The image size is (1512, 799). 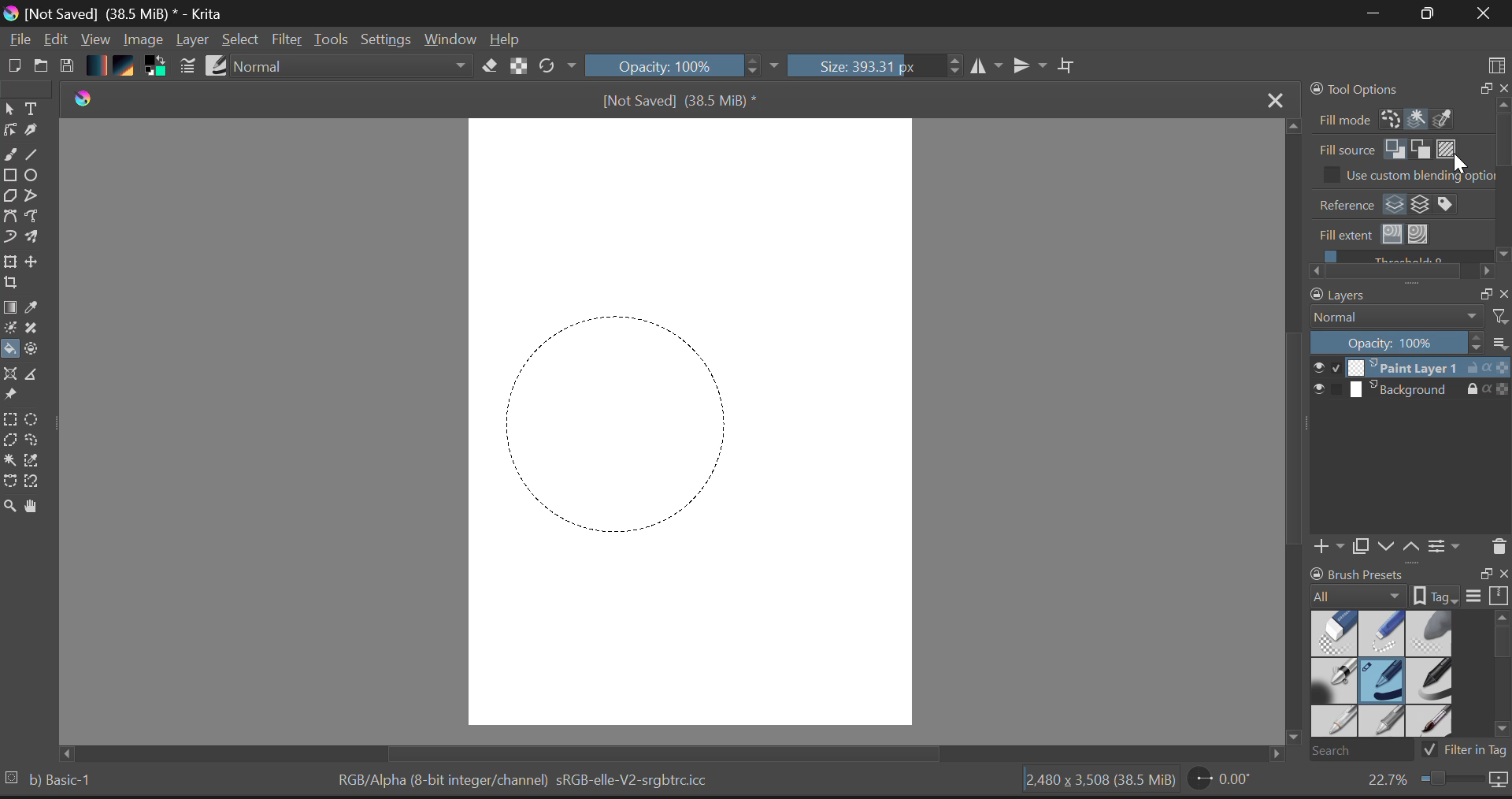 What do you see at coordinates (557, 67) in the screenshot?
I see `Refresh` at bounding box center [557, 67].